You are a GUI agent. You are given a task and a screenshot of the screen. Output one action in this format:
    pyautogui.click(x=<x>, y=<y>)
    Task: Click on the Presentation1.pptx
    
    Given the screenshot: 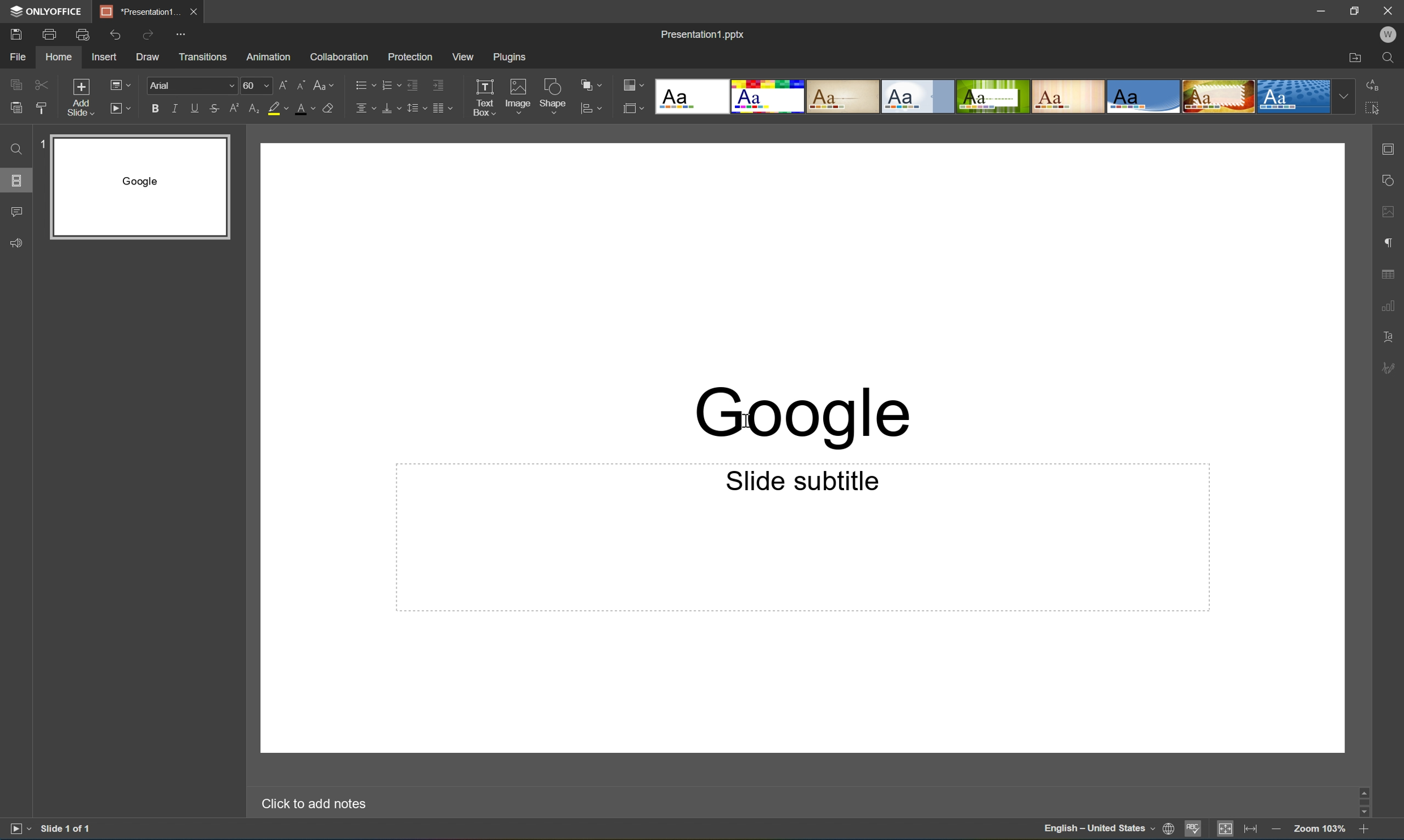 What is the action you would take?
    pyautogui.click(x=701, y=34)
    